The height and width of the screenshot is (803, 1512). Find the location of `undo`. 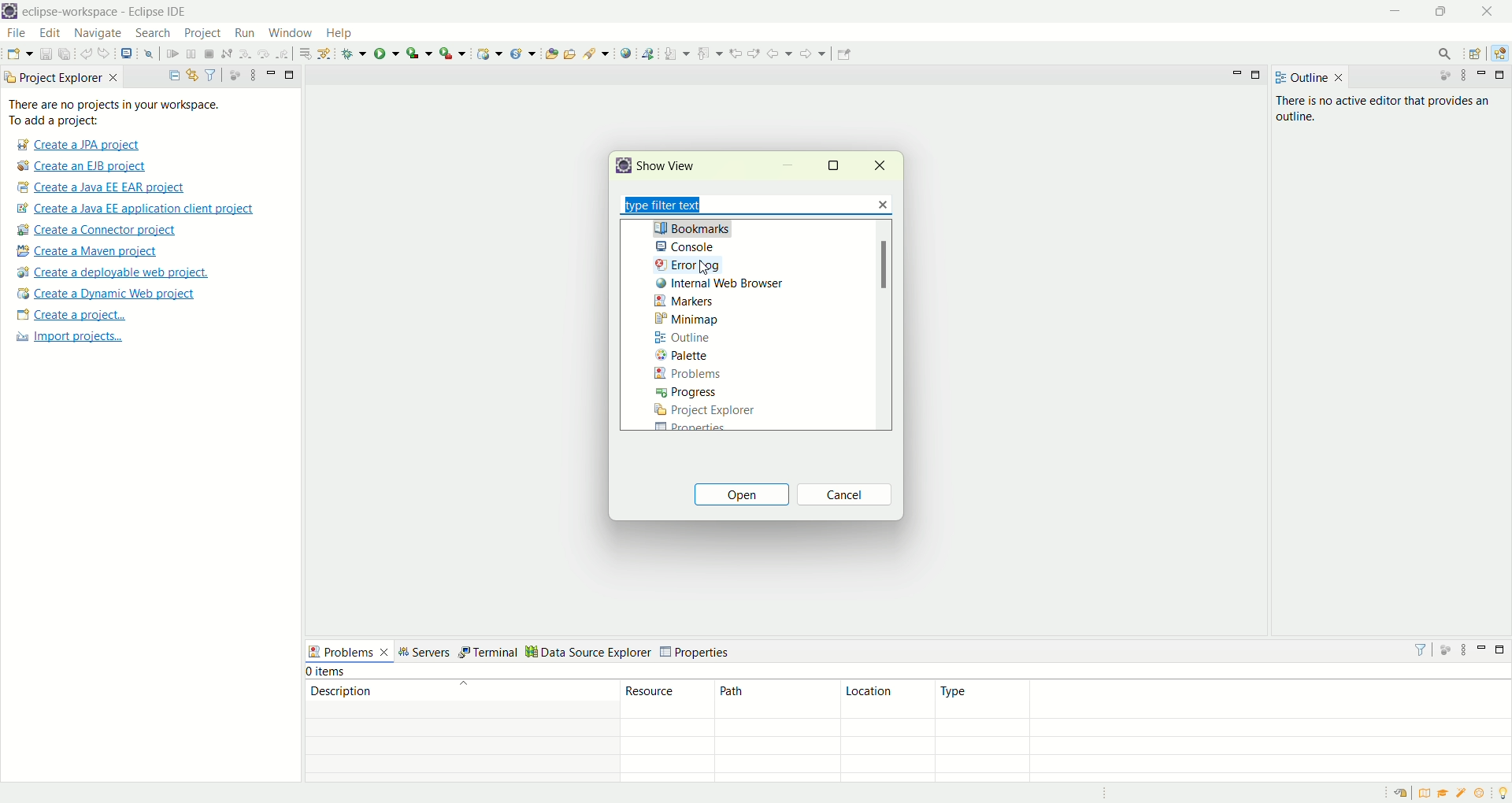

undo is located at coordinates (85, 52).